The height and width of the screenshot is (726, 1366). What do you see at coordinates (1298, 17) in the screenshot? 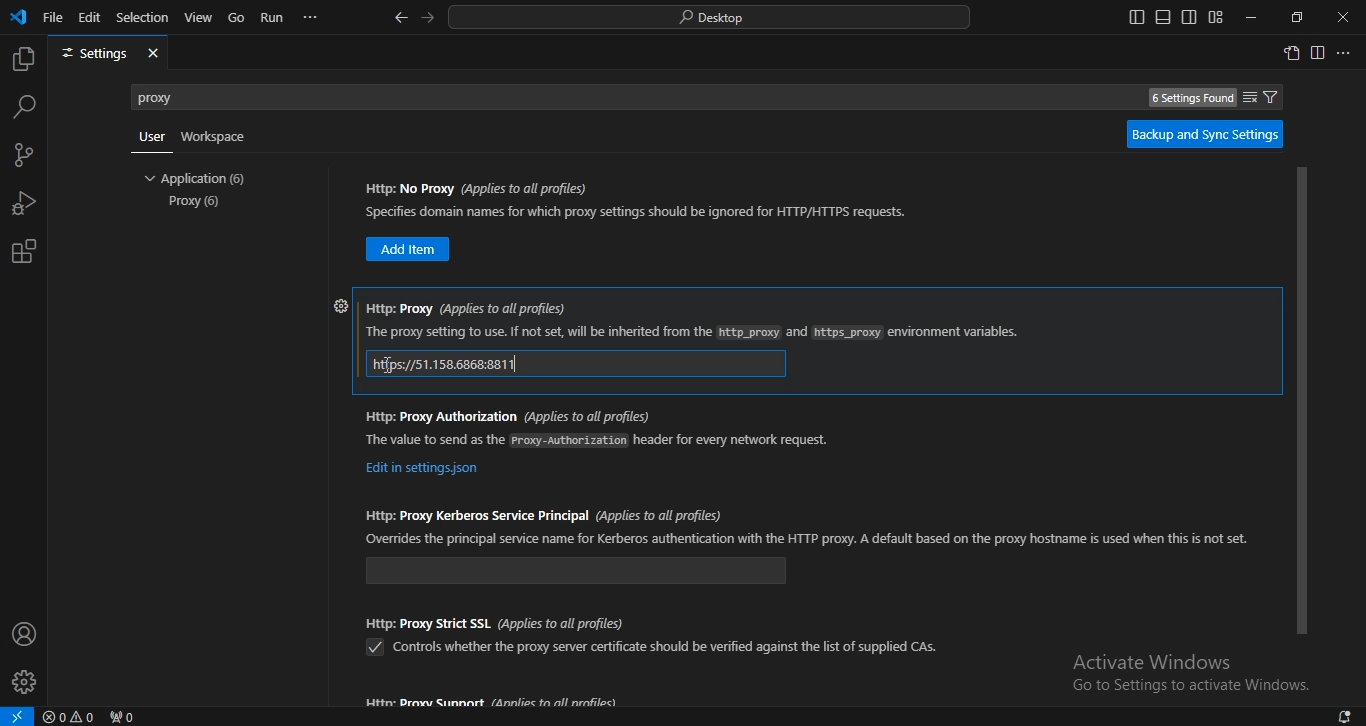
I see `restore` at bounding box center [1298, 17].